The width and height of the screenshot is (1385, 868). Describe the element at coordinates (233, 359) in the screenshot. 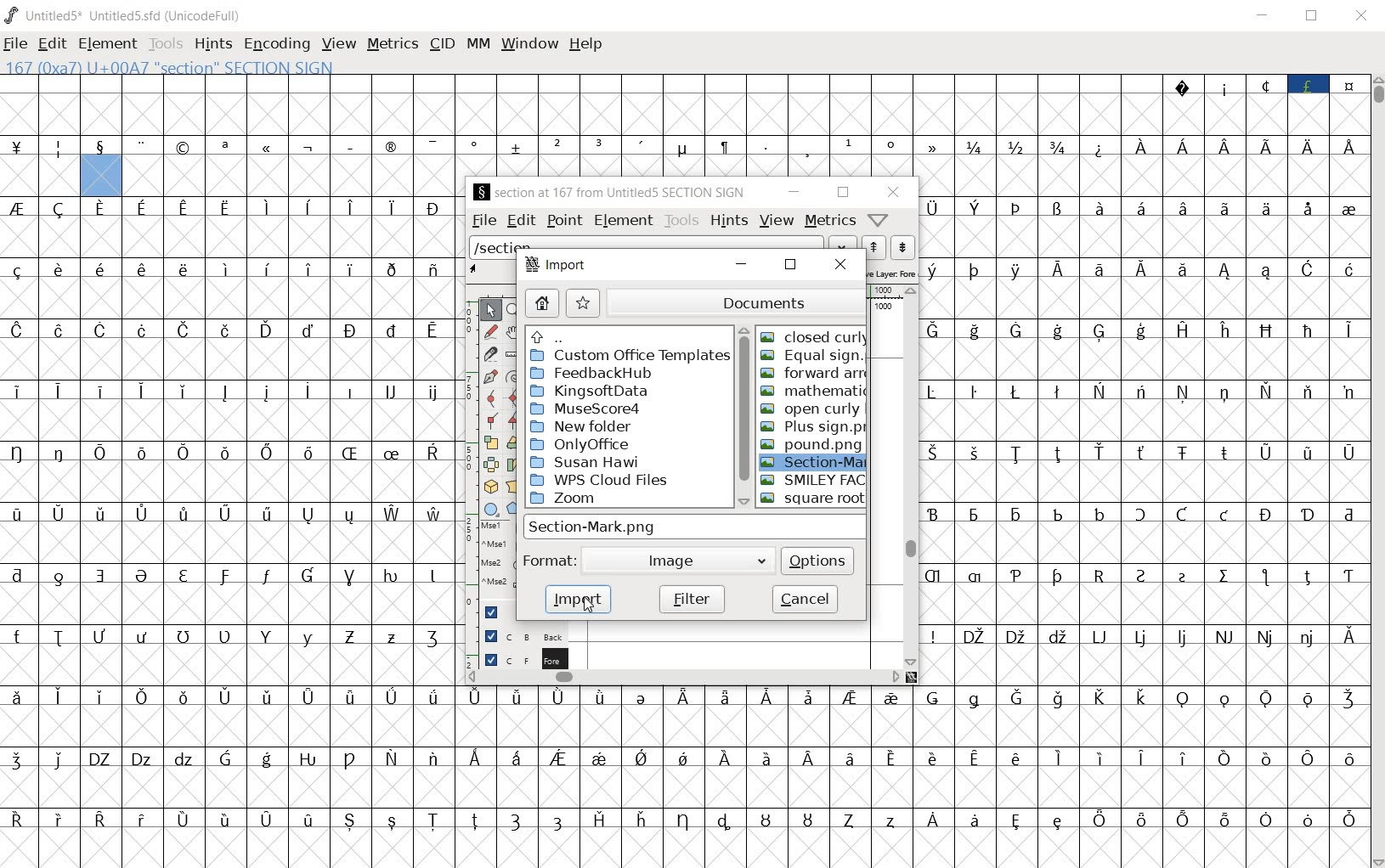

I see `empty cells` at that location.